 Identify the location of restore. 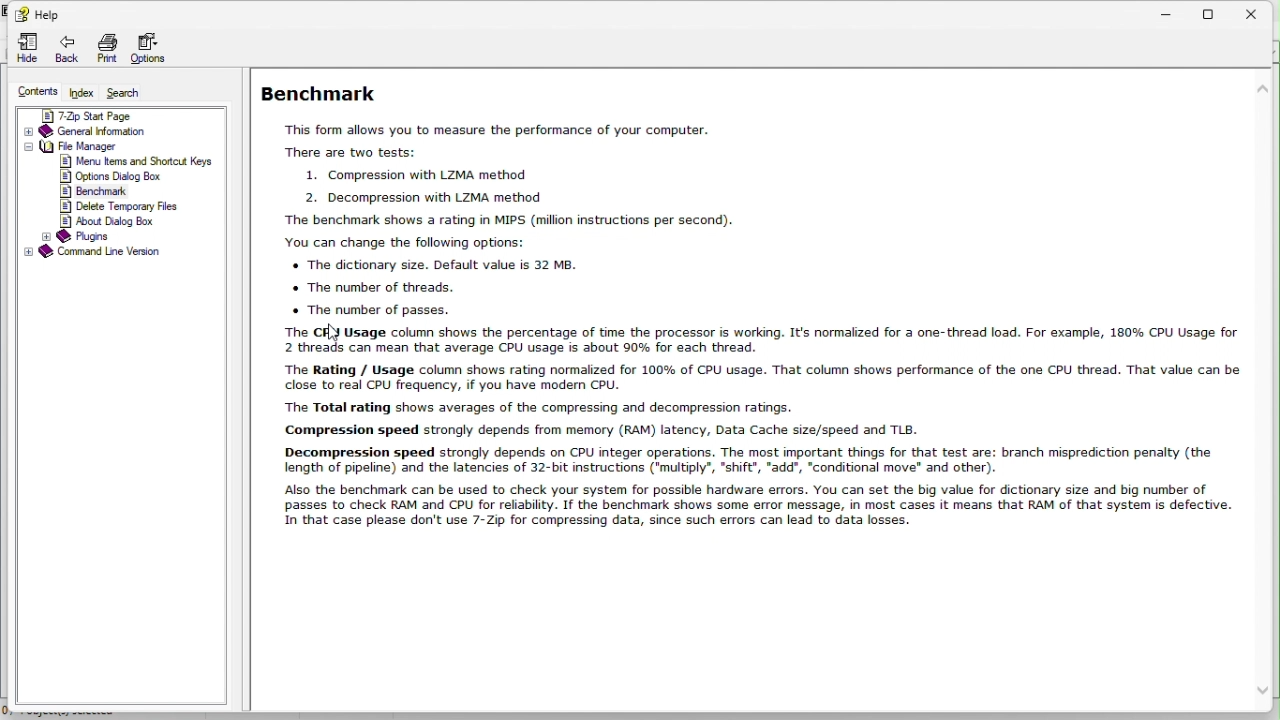
(1213, 12).